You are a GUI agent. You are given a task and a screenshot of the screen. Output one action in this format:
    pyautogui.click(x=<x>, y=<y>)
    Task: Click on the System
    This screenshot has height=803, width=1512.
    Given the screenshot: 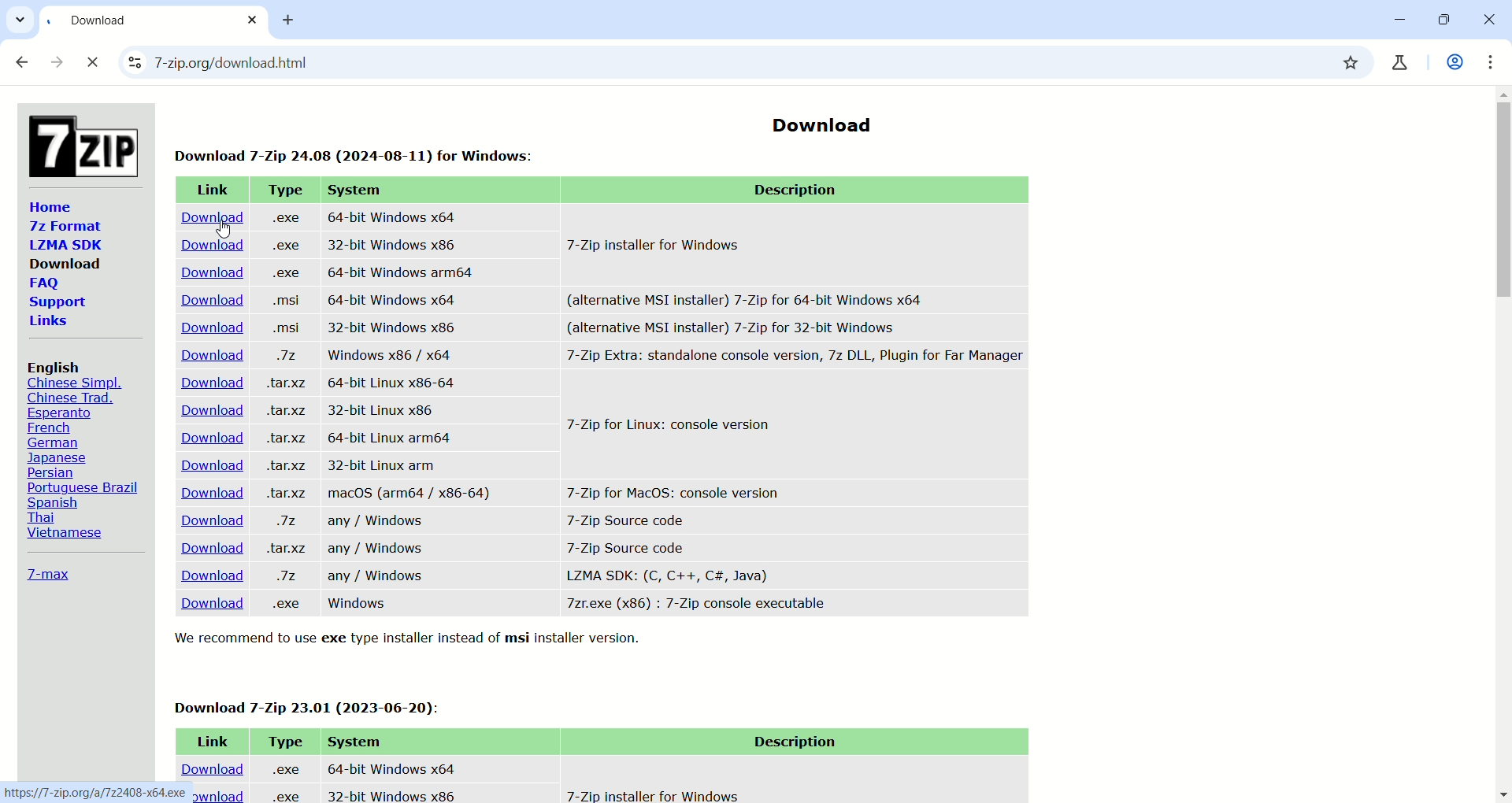 What is the action you would take?
    pyautogui.click(x=358, y=191)
    